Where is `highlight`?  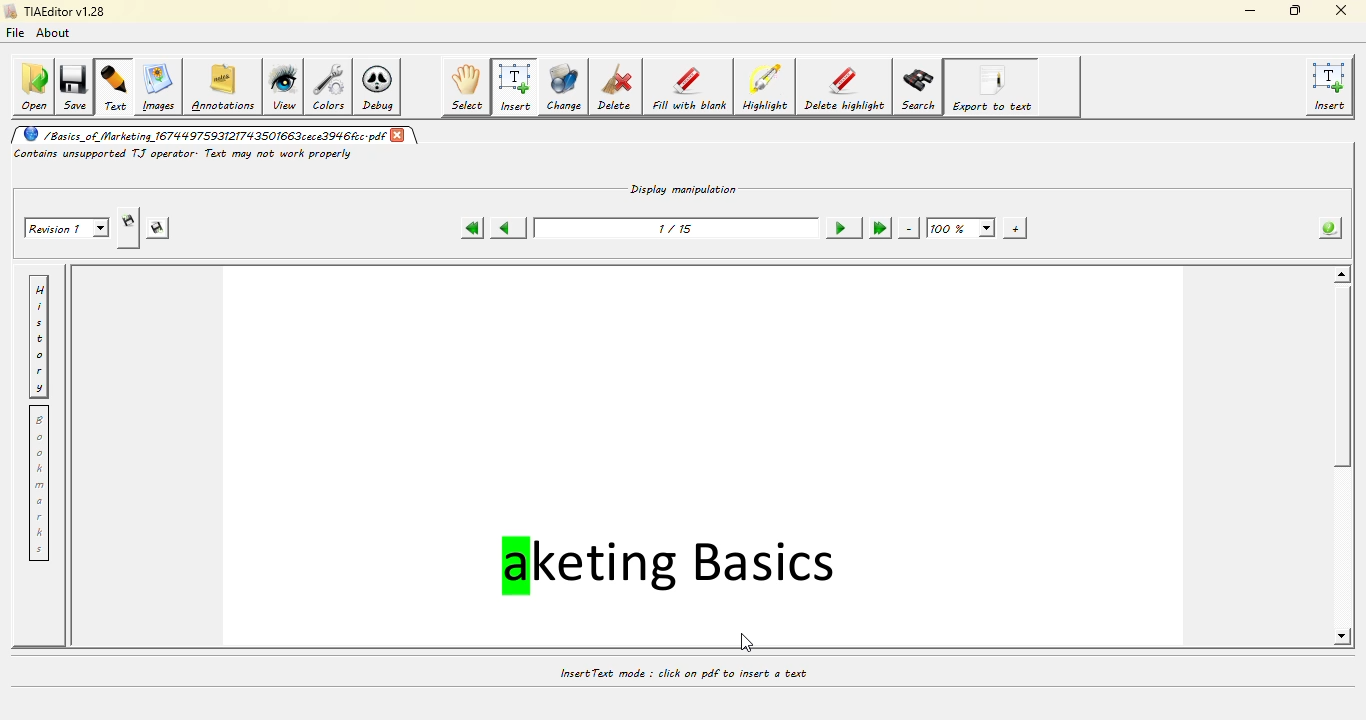
highlight is located at coordinates (767, 88).